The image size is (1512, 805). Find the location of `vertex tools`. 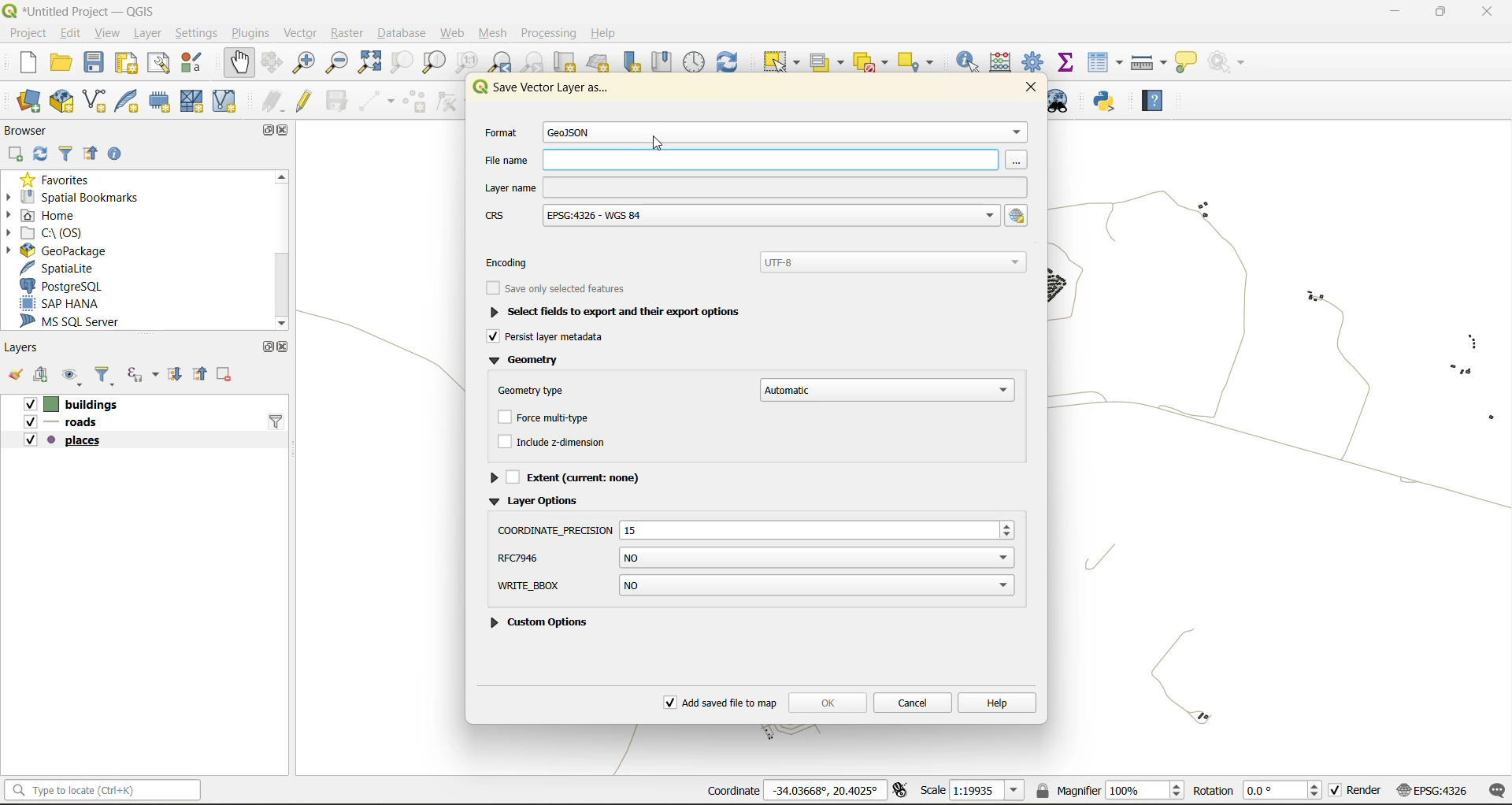

vertex tools is located at coordinates (454, 101).